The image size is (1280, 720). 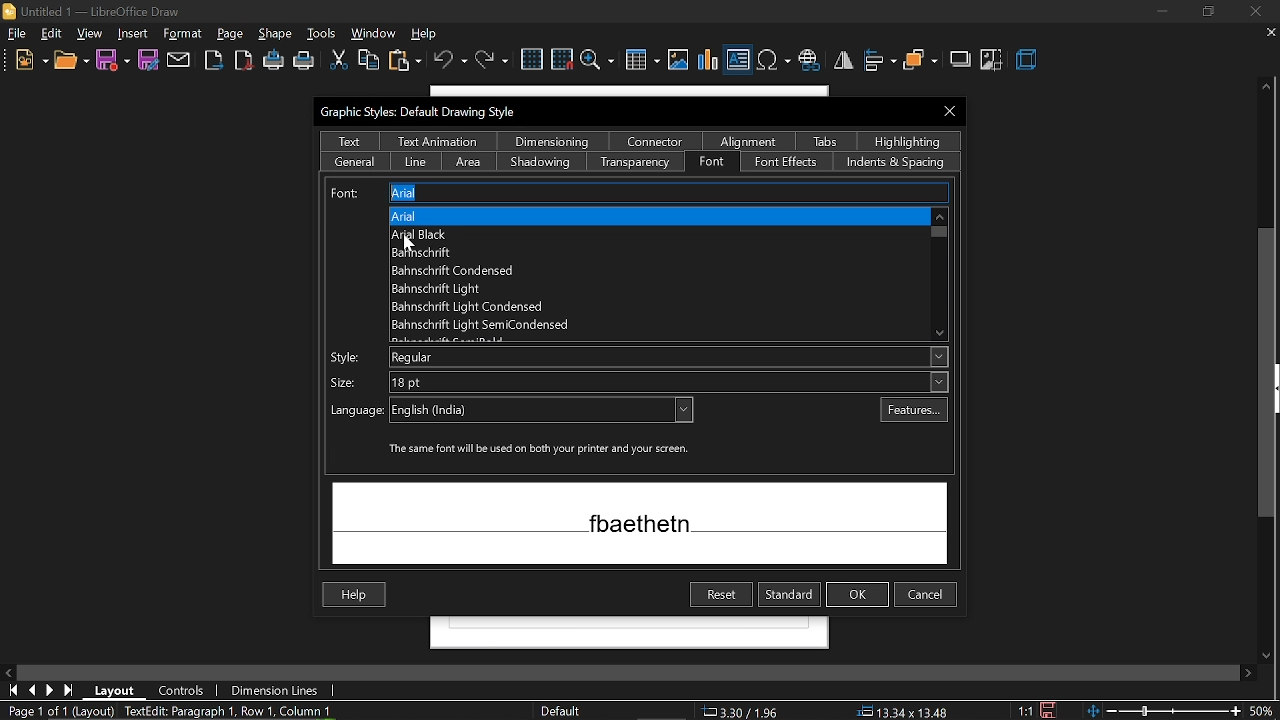 What do you see at coordinates (90, 33) in the screenshot?
I see `view` at bounding box center [90, 33].